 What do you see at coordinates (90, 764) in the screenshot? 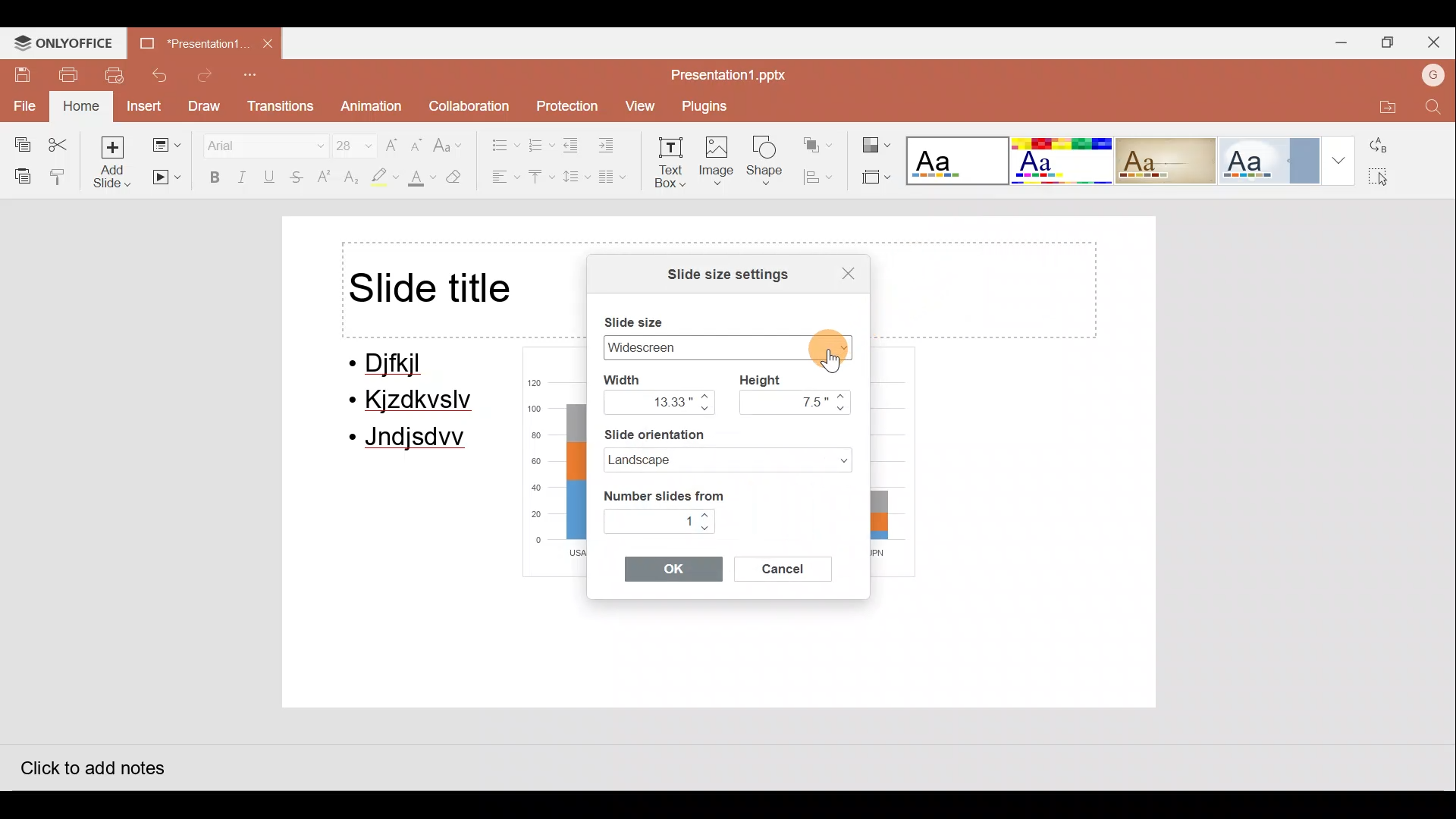
I see `Click to add notes` at bounding box center [90, 764].